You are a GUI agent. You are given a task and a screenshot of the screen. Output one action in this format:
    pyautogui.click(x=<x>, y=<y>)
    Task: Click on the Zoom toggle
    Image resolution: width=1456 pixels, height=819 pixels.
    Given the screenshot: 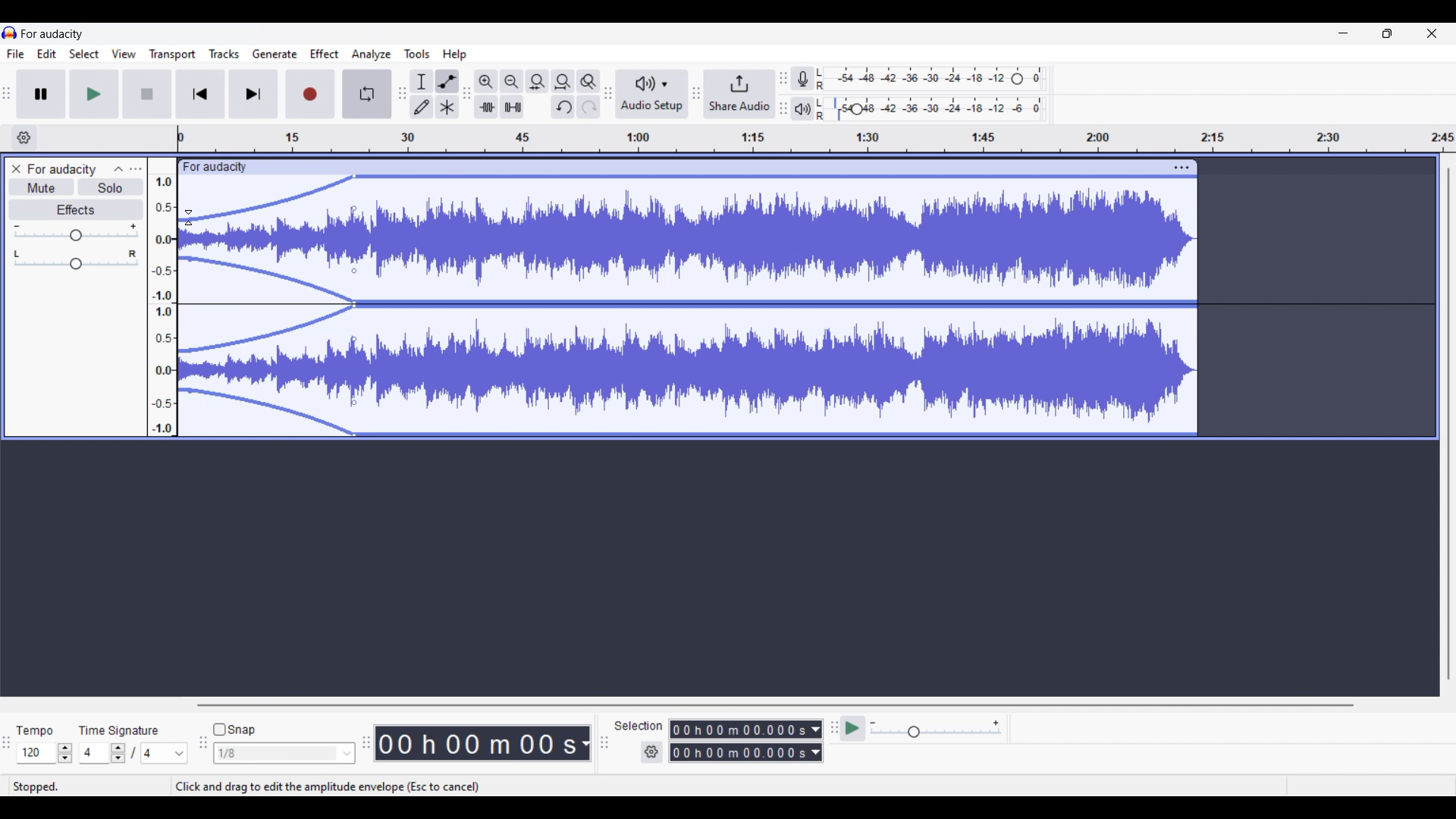 What is the action you would take?
    pyautogui.click(x=588, y=81)
    